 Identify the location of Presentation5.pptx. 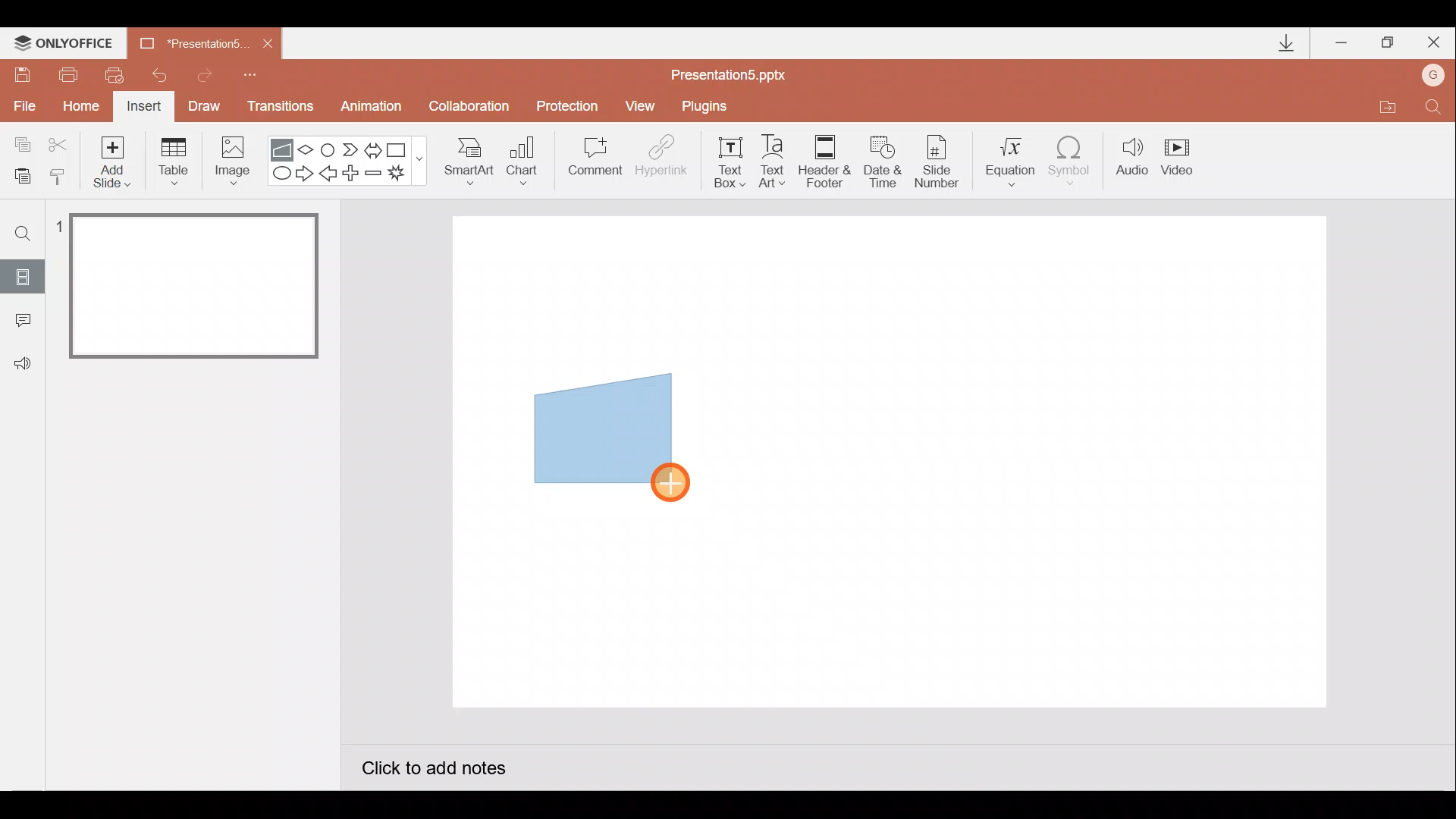
(739, 71).